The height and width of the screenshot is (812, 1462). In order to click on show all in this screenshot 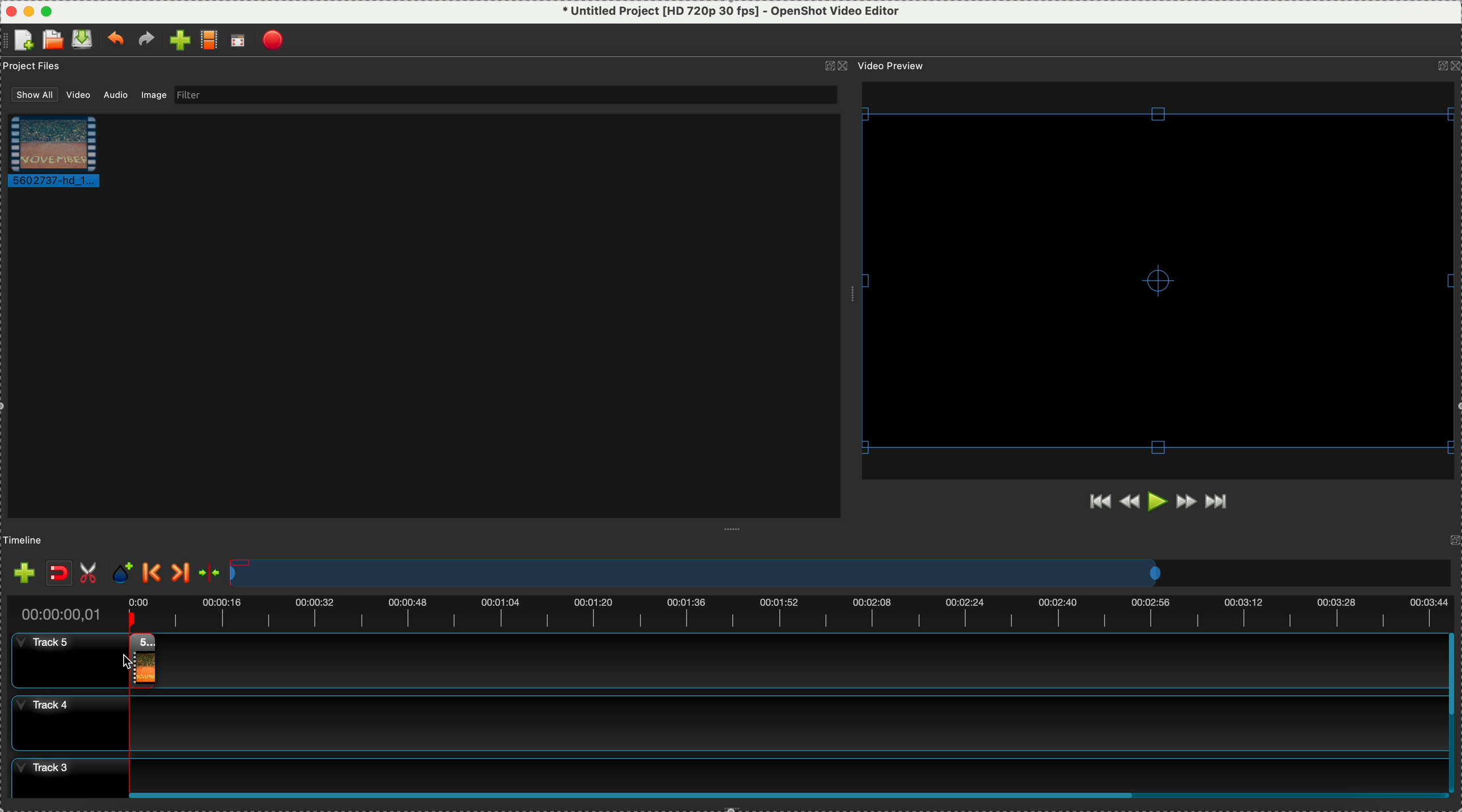, I will do `click(30, 94)`.